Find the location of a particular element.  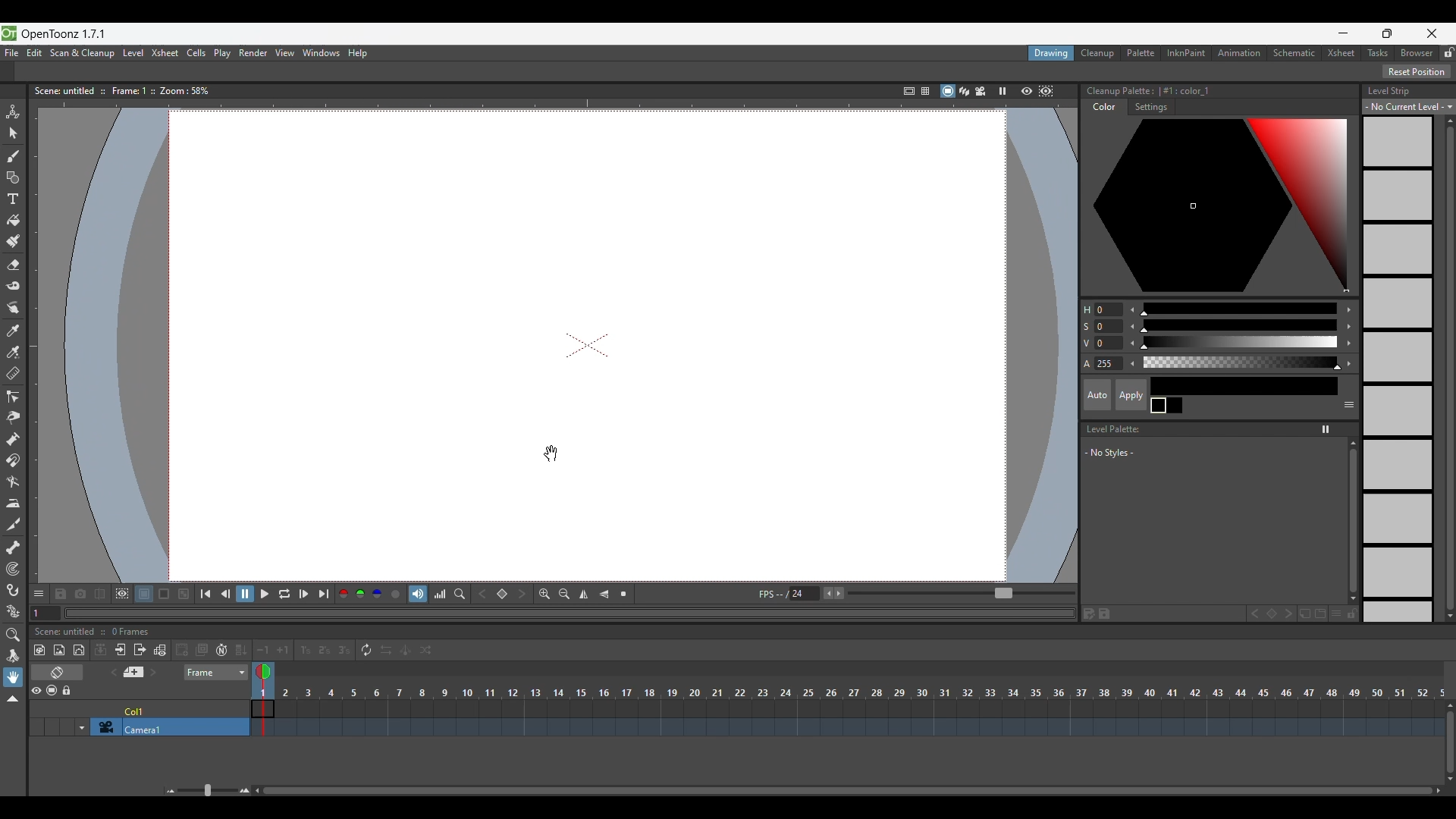

Save palette is located at coordinates (1104, 613).